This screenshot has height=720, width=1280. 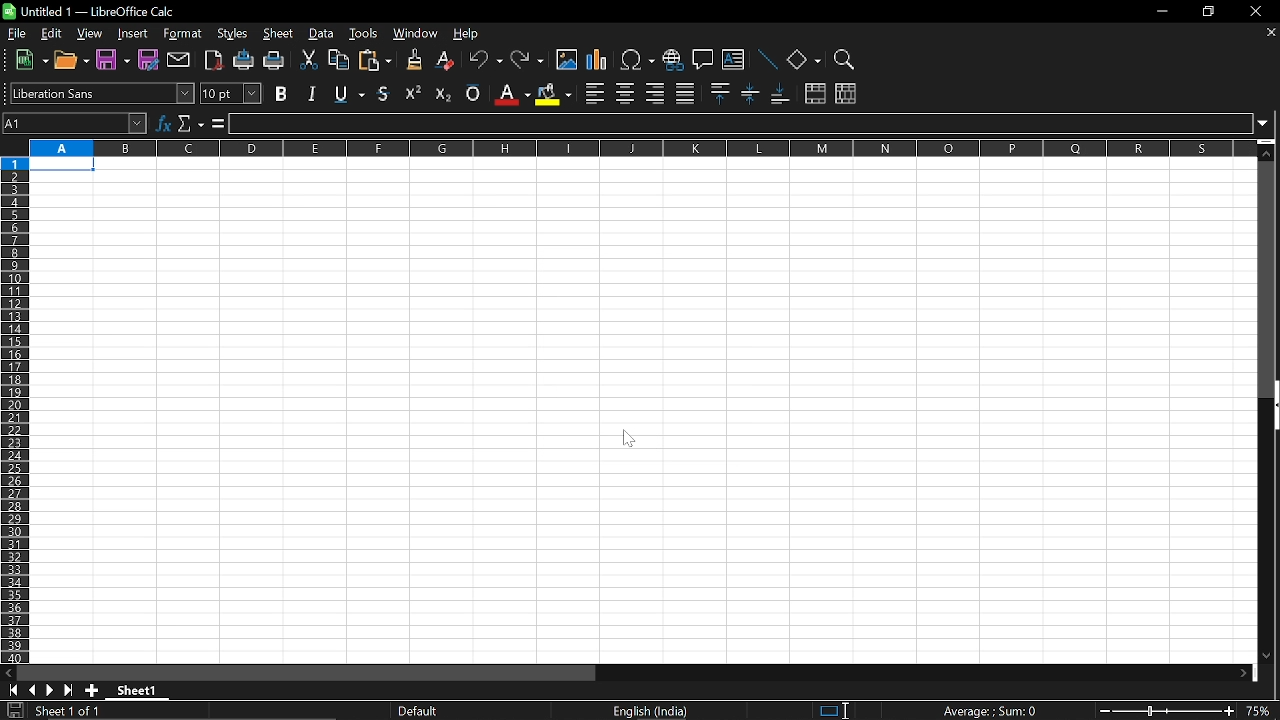 I want to click on sheet zoom changed to 75%, so click(x=639, y=411).